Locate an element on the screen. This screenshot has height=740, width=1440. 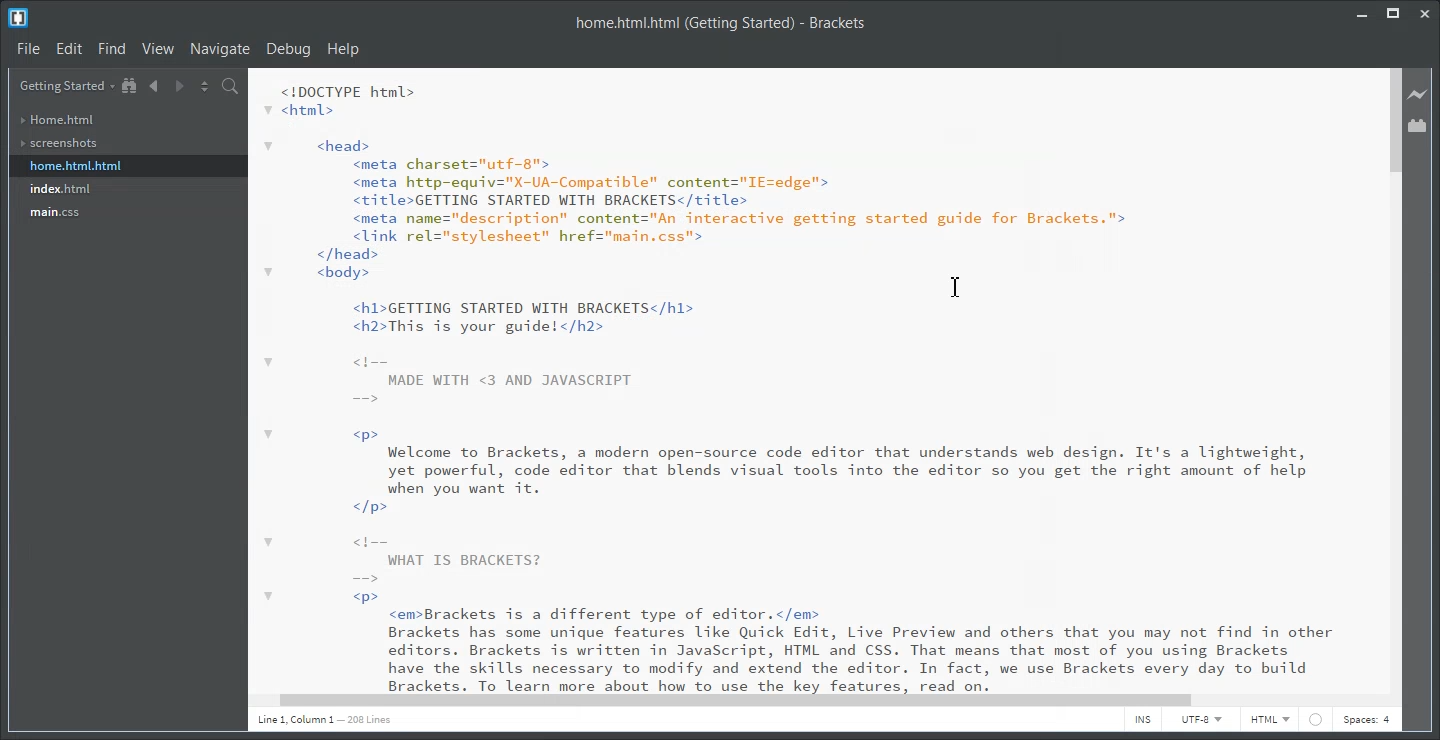
Minimize is located at coordinates (1362, 11).